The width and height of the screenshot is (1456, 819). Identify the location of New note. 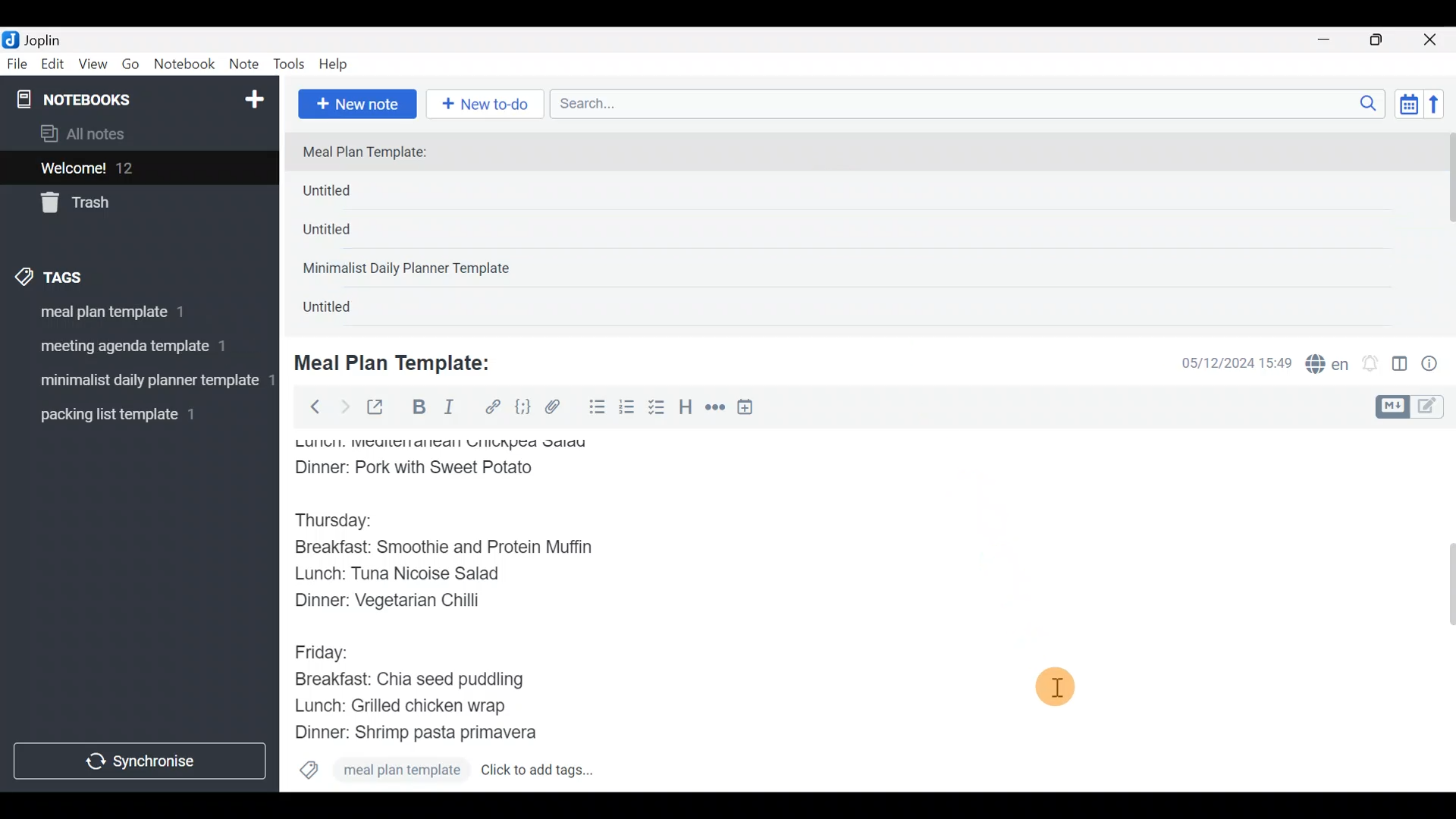
(356, 102).